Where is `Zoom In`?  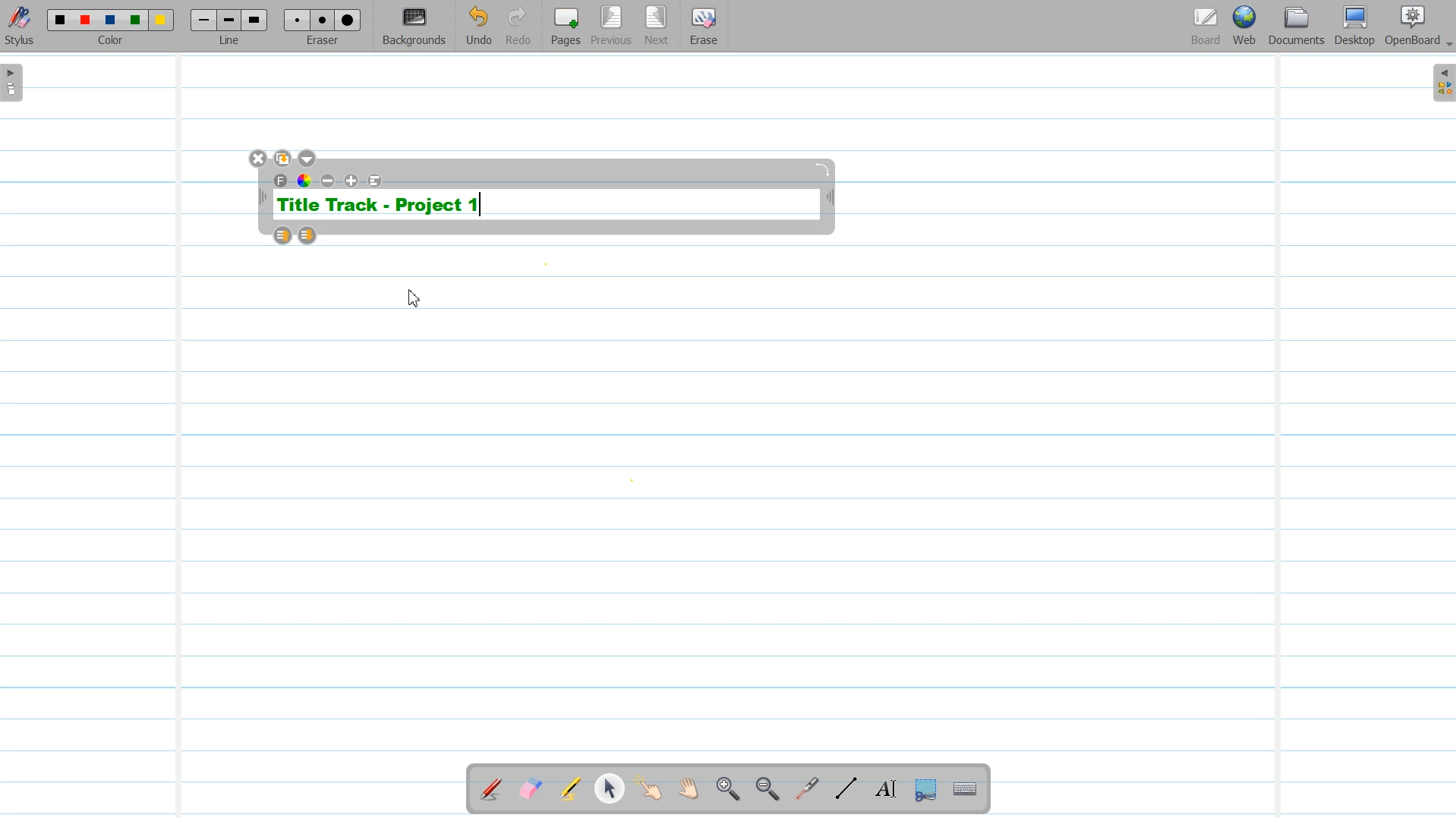 Zoom In is located at coordinates (727, 790).